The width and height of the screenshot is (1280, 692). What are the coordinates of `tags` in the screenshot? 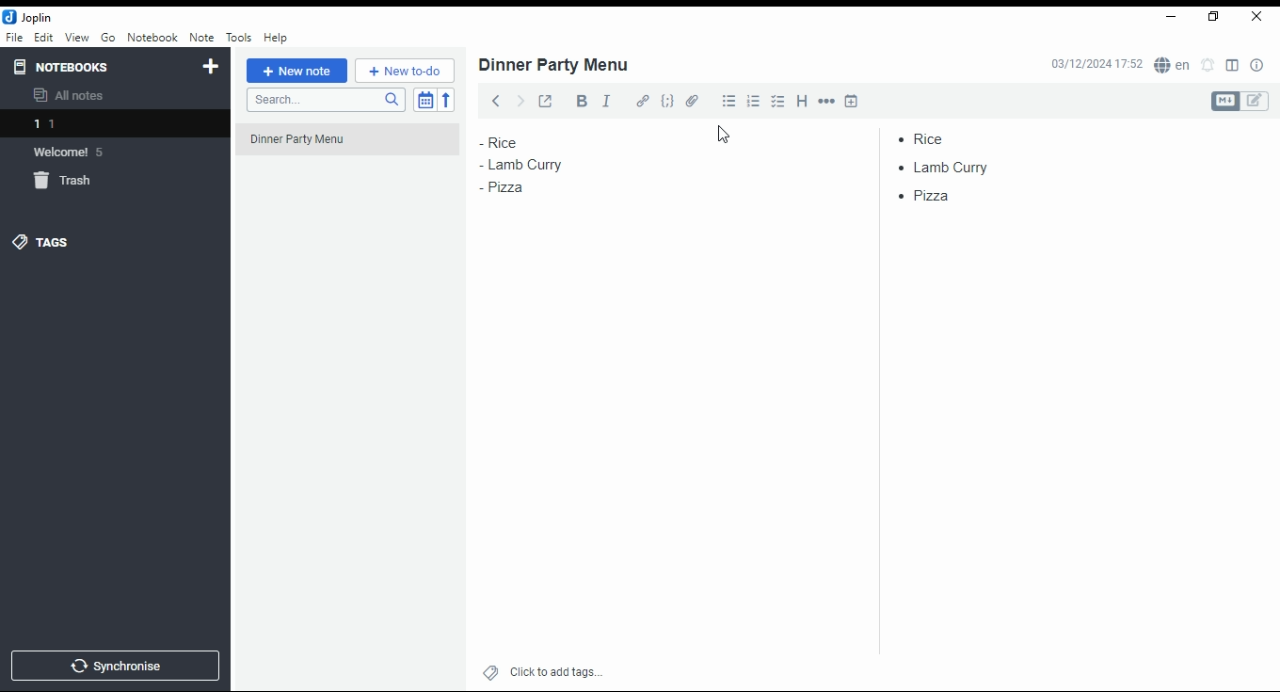 It's located at (55, 242).